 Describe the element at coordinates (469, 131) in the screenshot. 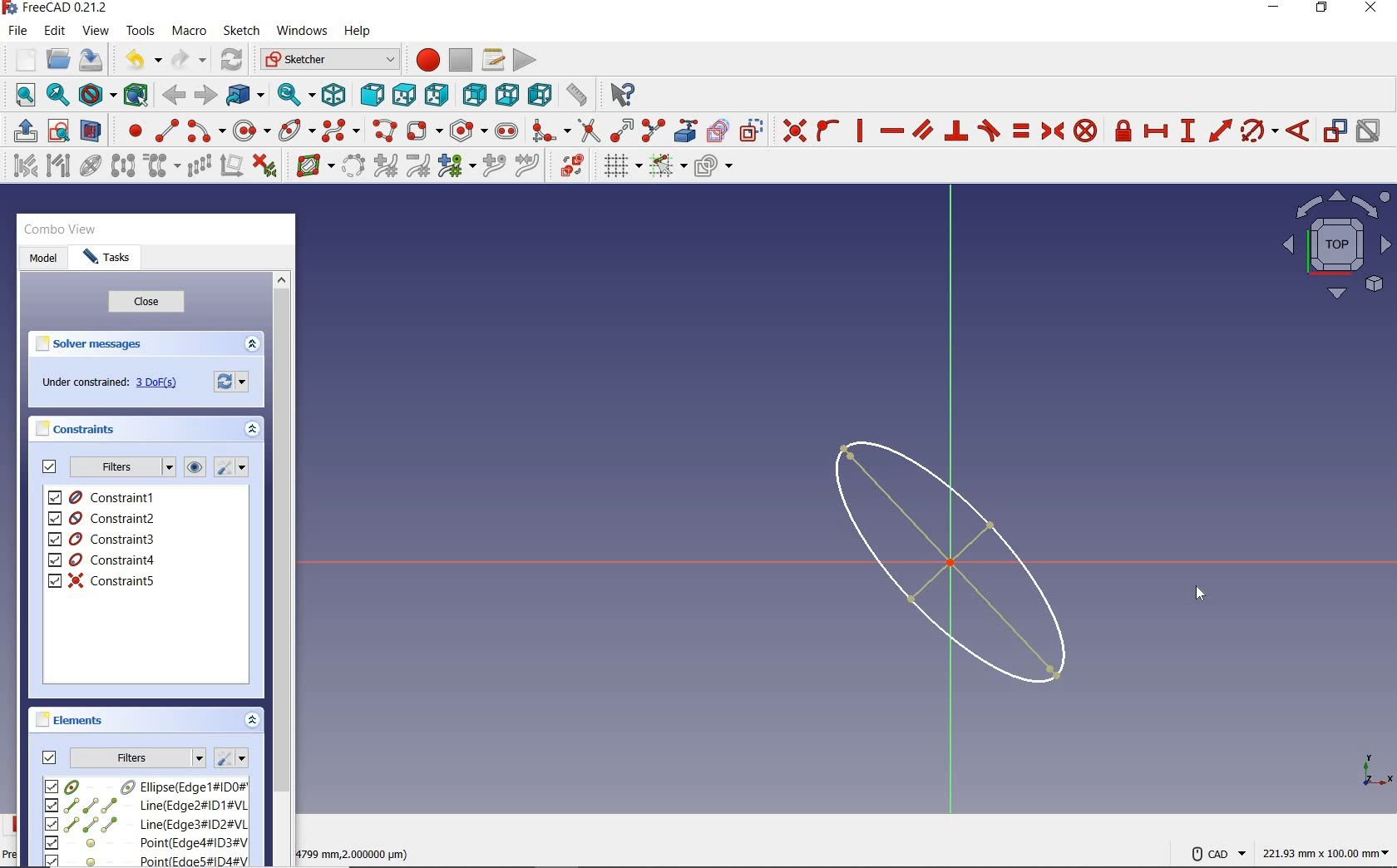

I see `create regular polygon` at that location.